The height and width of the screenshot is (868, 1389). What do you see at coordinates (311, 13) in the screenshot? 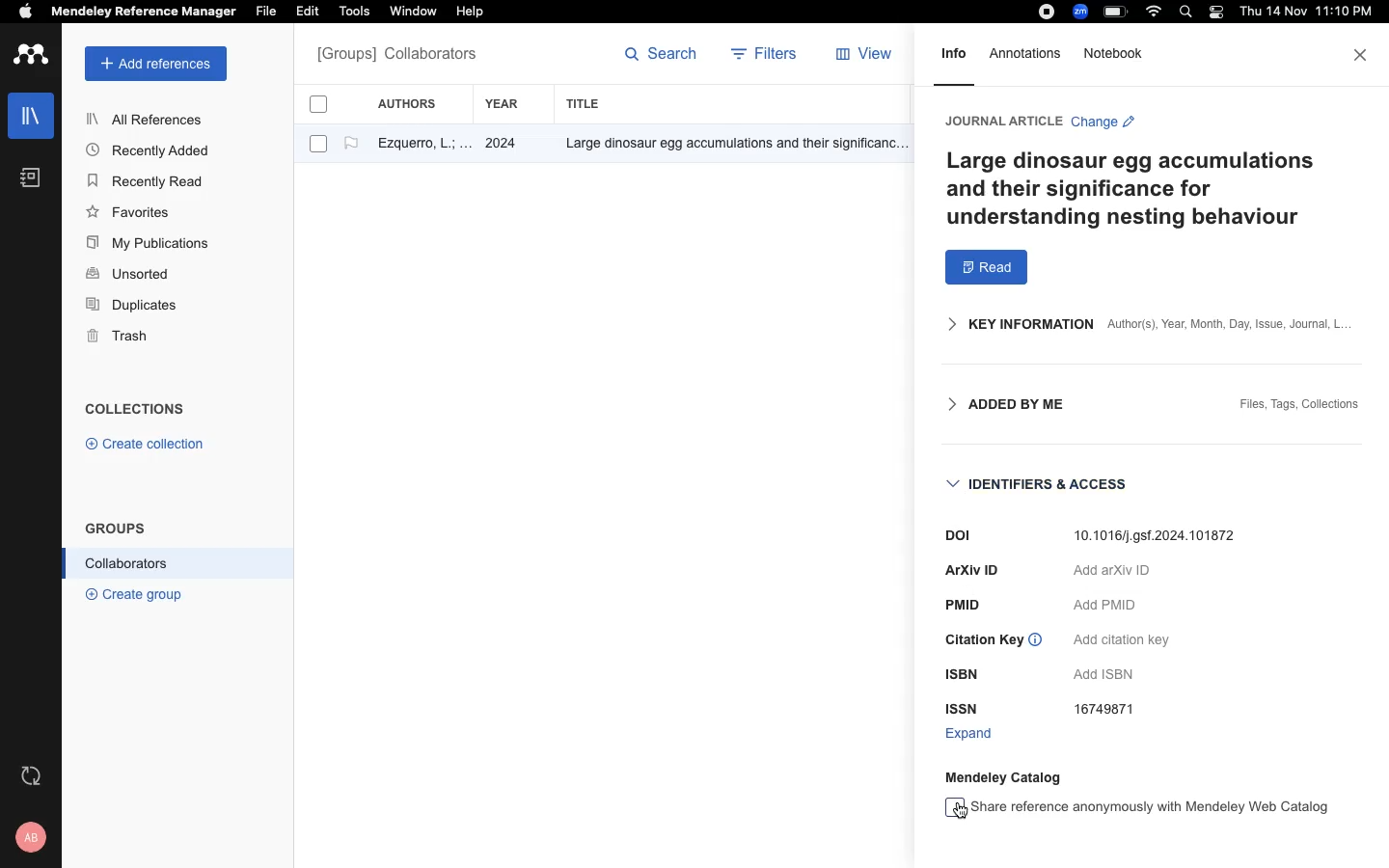
I see `Edit` at bounding box center [311, 13].